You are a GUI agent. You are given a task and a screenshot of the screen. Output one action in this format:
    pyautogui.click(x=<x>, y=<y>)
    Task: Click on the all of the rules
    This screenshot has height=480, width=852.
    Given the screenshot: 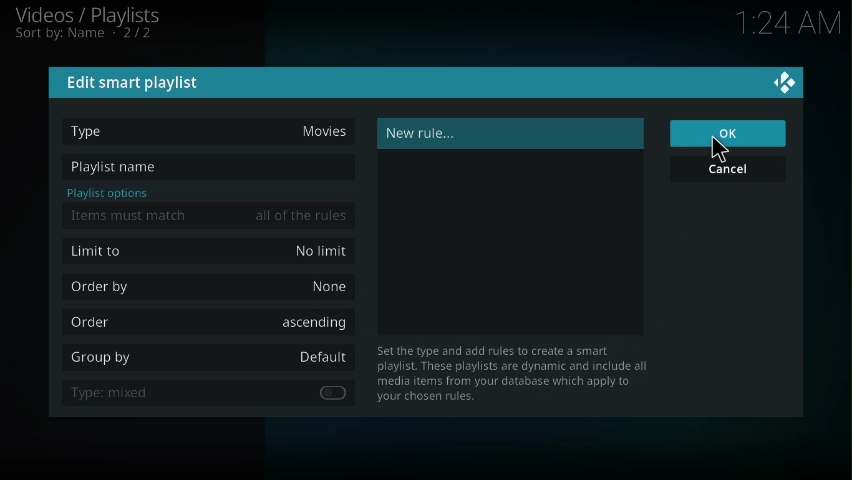 What is the action you would take?
    pyautogui.click(x=301, y=214)
    